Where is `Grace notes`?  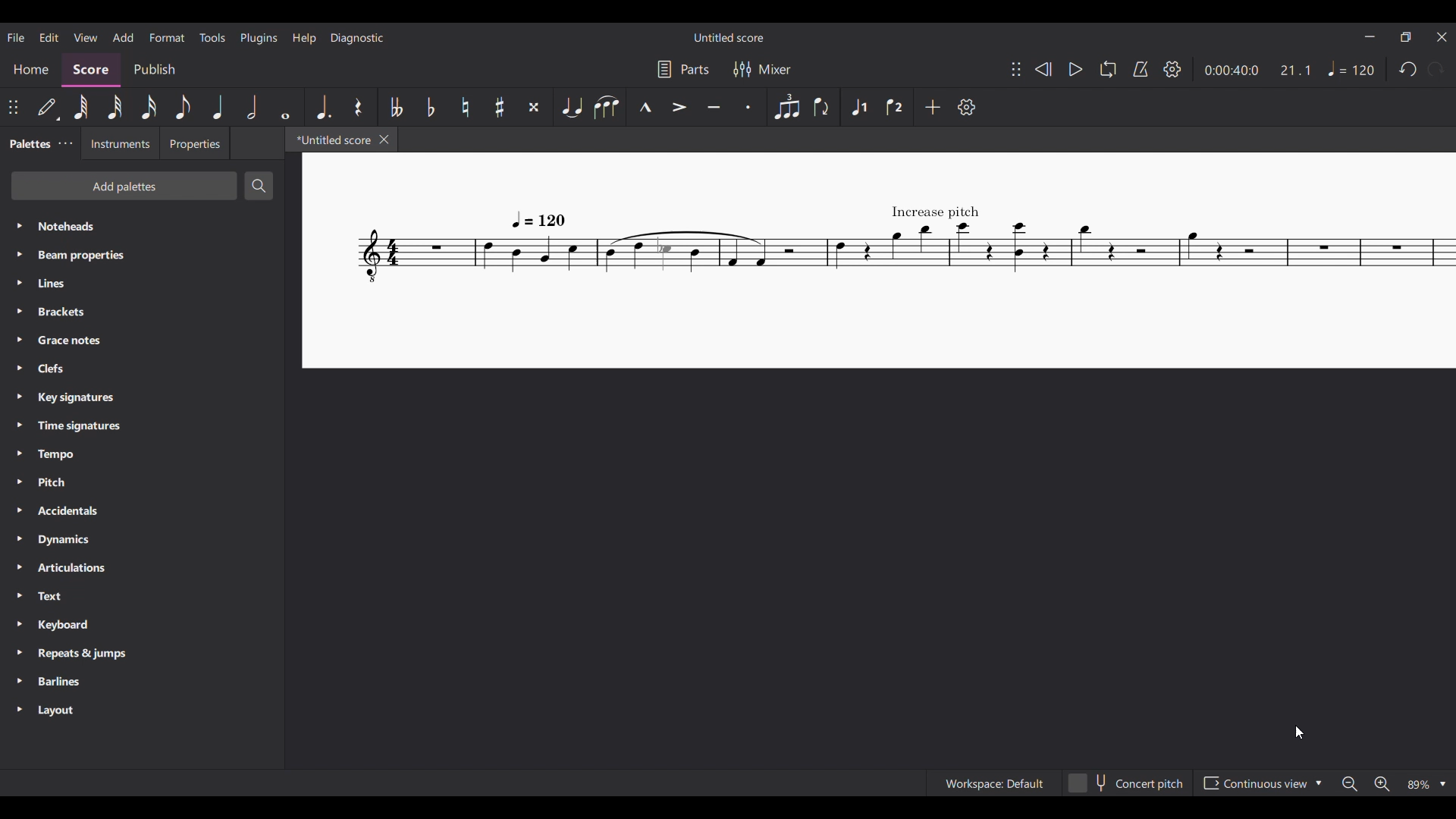 Grace notes is located at coordinates (140, 340).